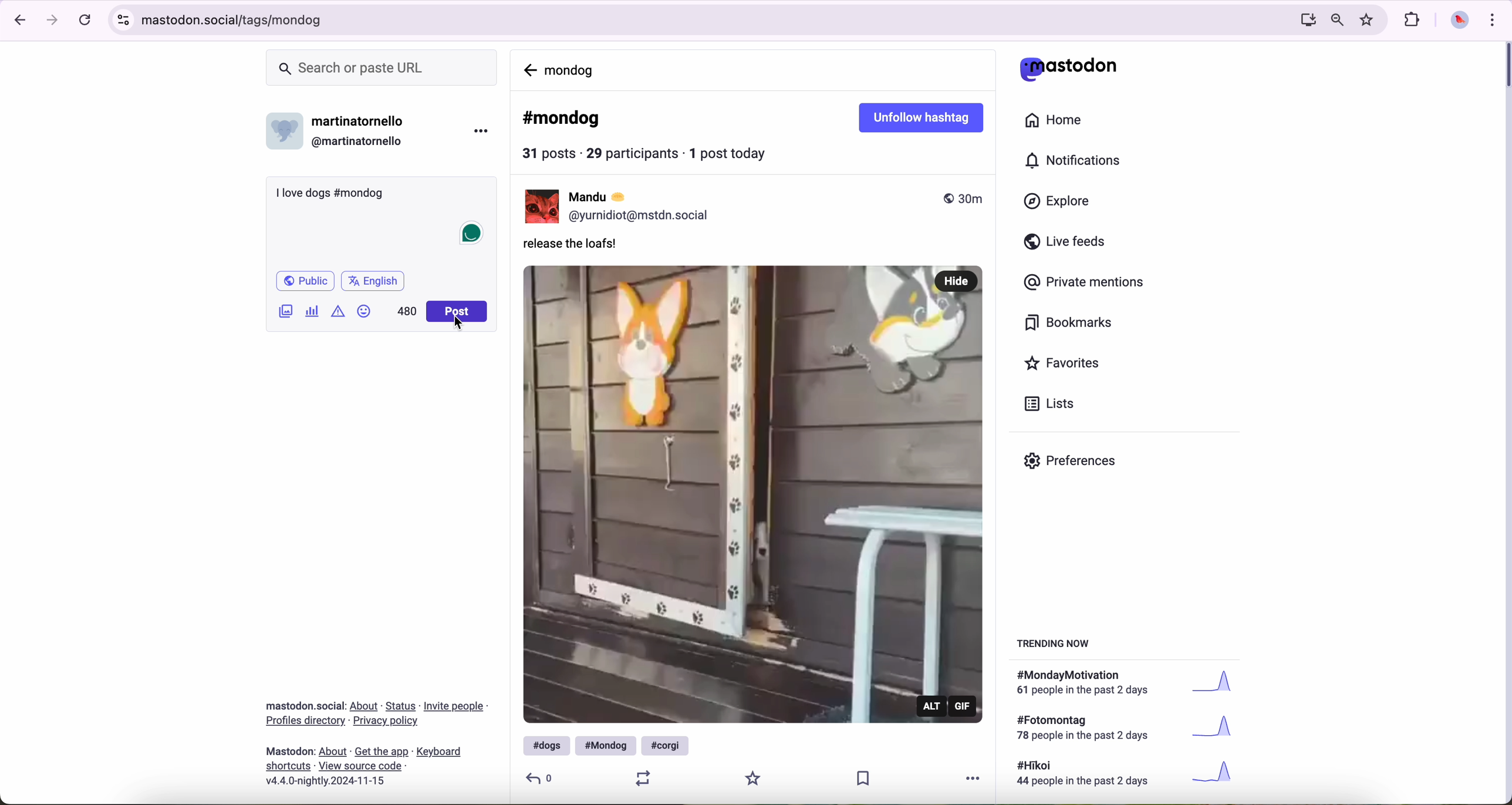 The width and height of the screenshot is (1512, 805). I want to click on Grammarly, so click(471, 234).